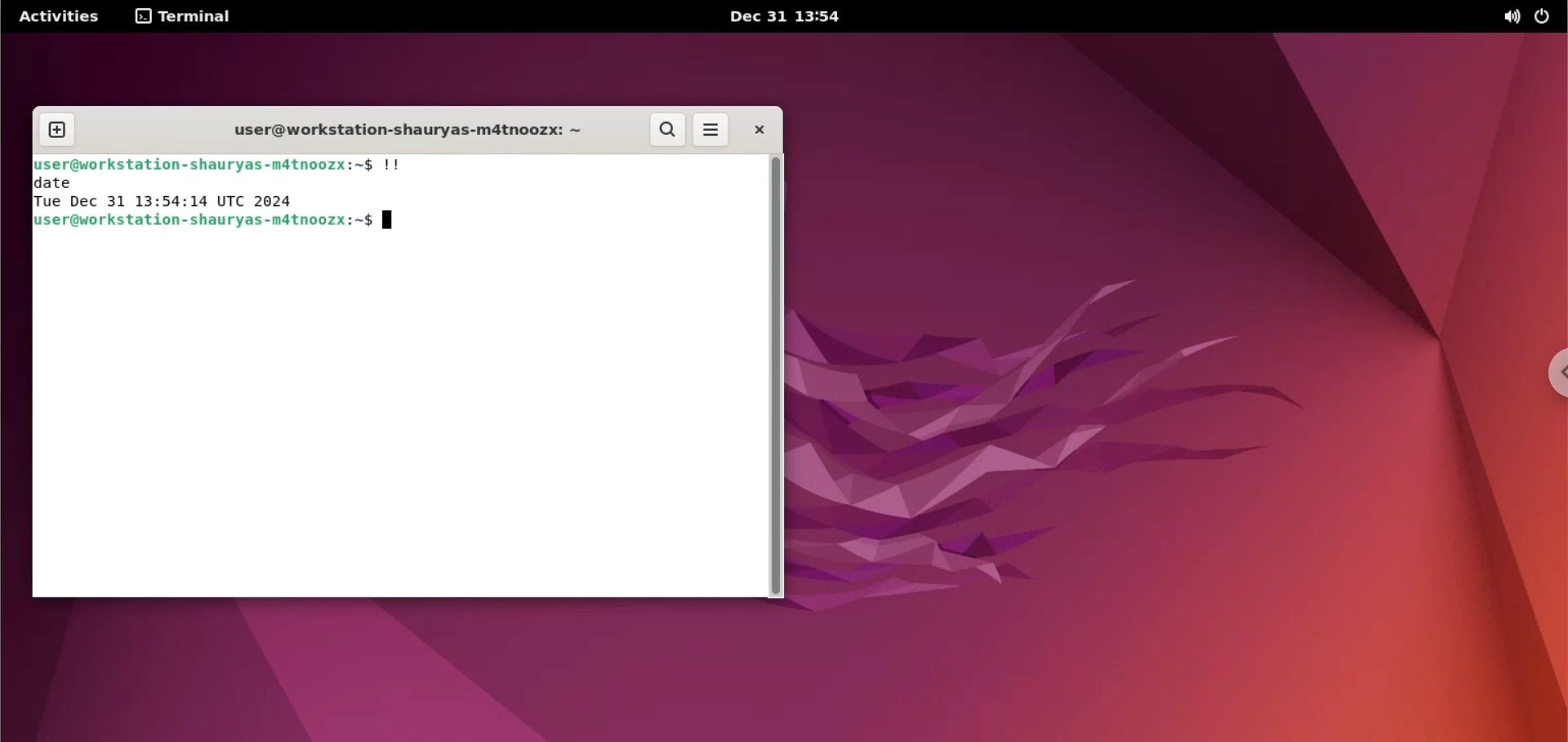 This screenshot has width=1568, height=742. What do you see at coordinates (787, 19) in the screenshot?
I see `Dec 31 13:54` at bounding box center [787, 19].